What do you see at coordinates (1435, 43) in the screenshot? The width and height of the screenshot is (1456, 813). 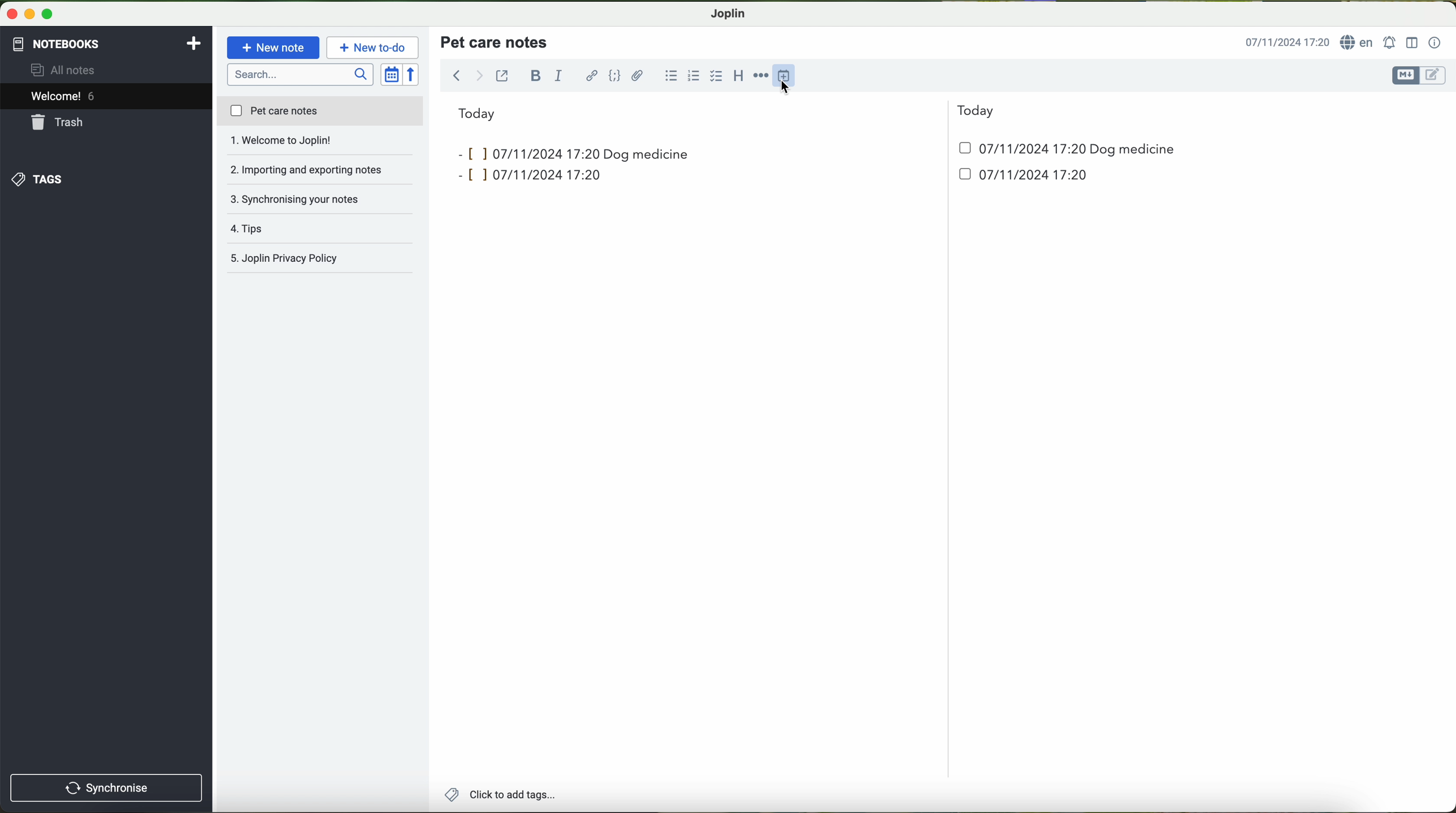 I see `note properties` at bounding box center [1435, 43].